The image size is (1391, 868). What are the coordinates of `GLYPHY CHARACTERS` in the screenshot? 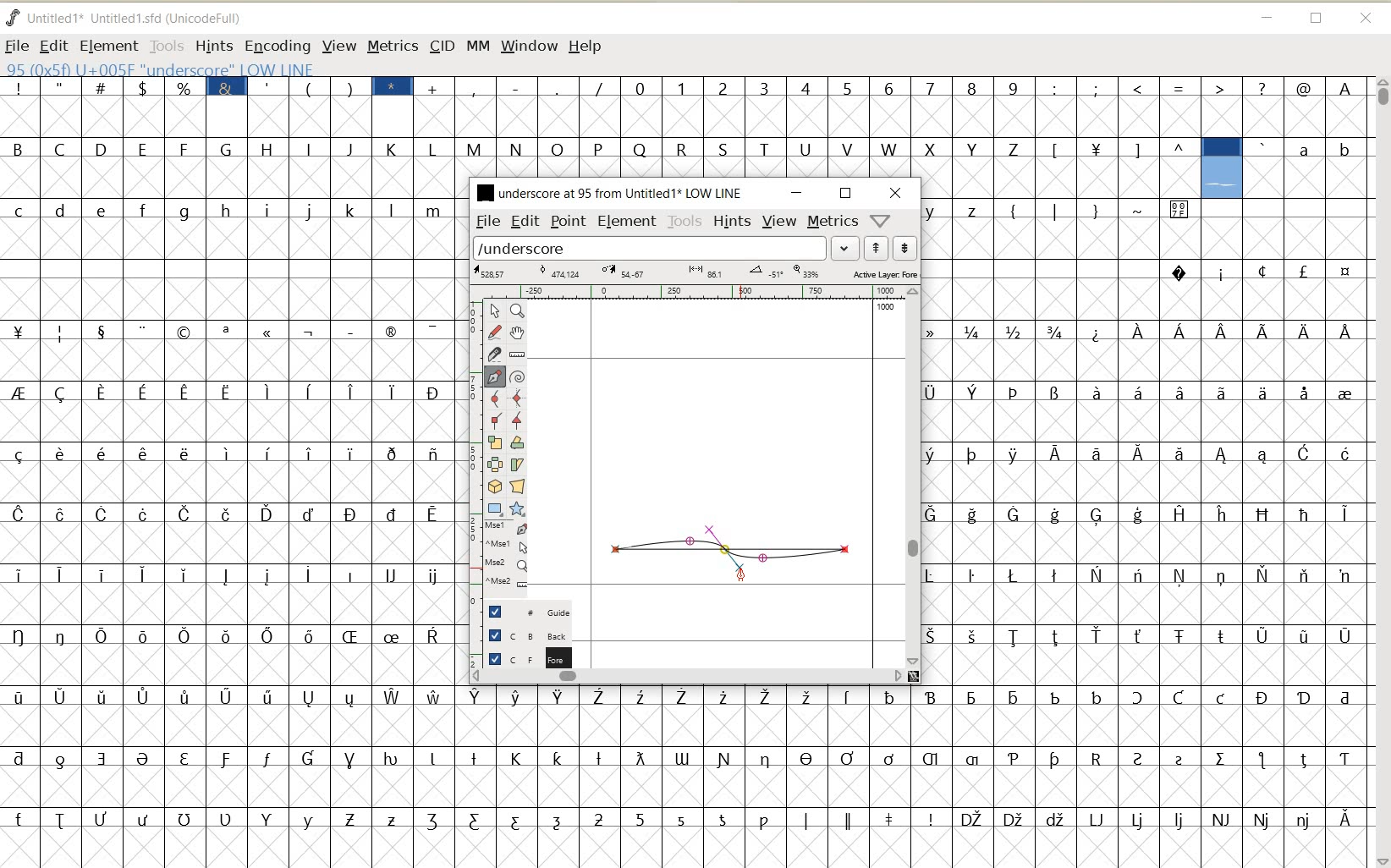 It's located at (689, 151).